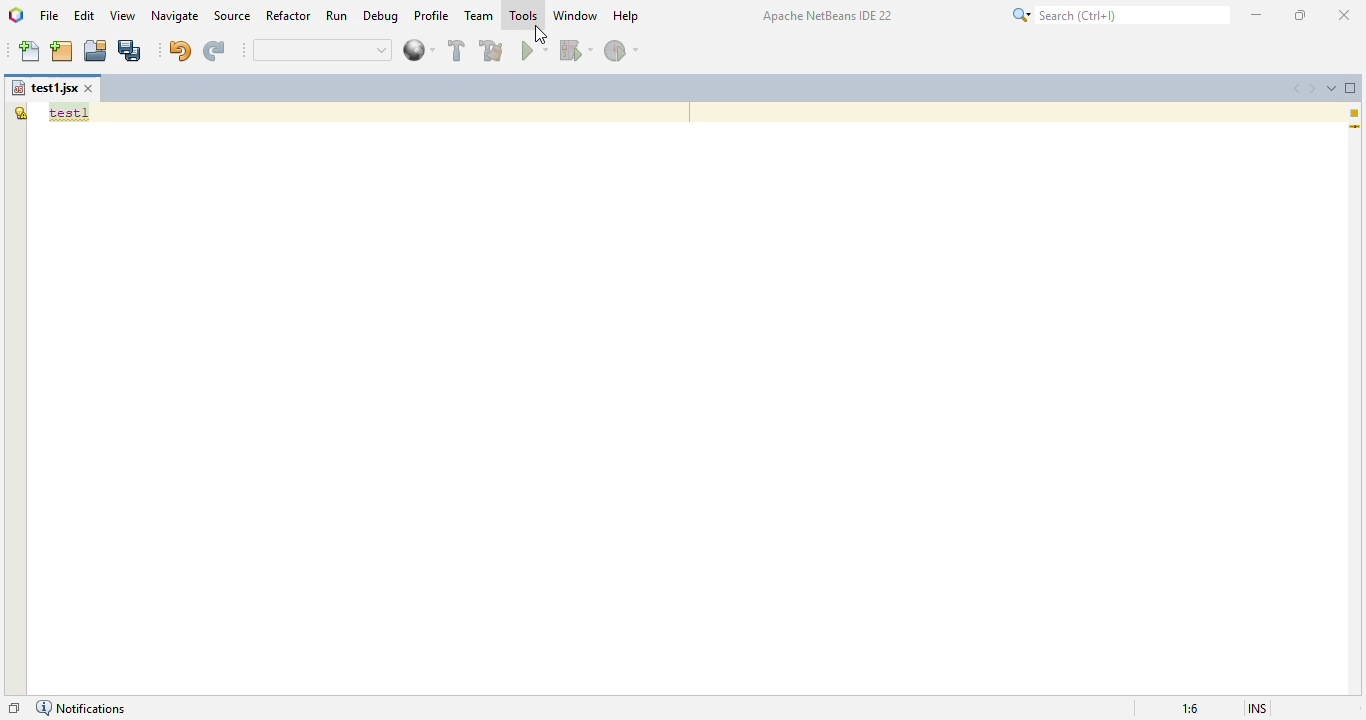  Describe the element at coordinates (1190, 708) in the screenshot. I see `magnification ratio` at that location.